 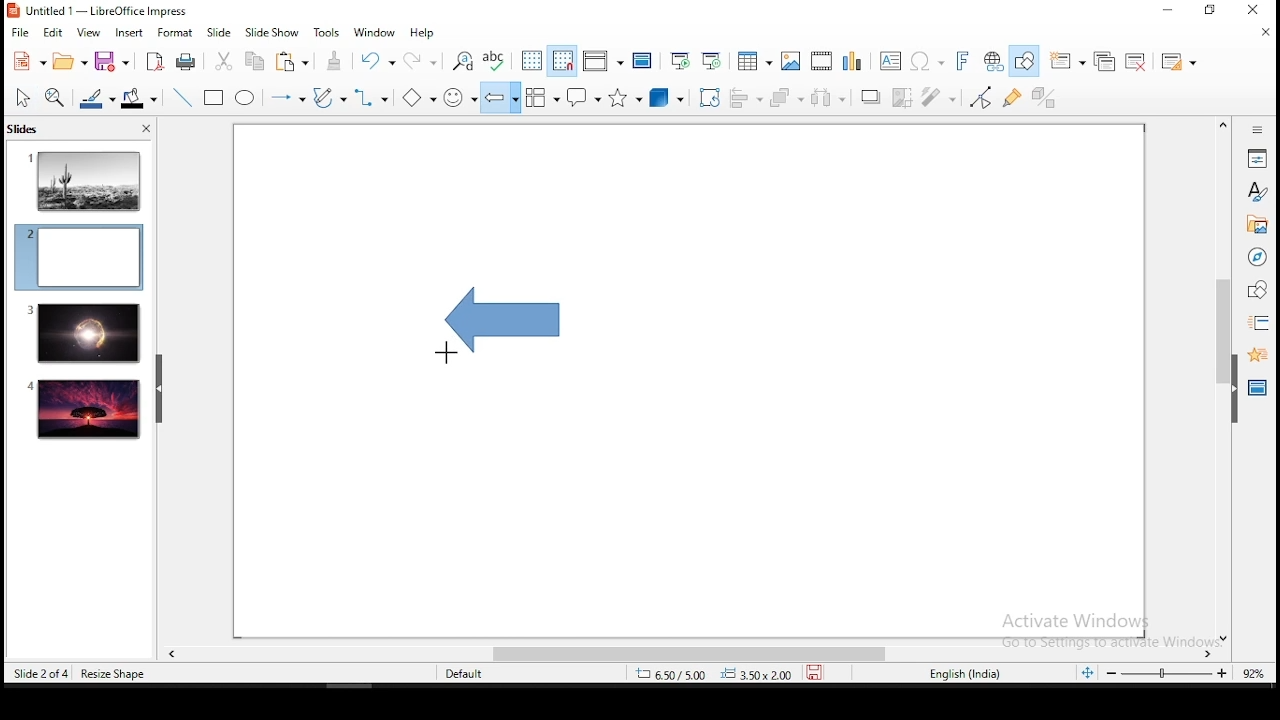 What do you see at coordinates (53, 33) in the screenshot?
I see `edit` at bounding box center [53, 33].